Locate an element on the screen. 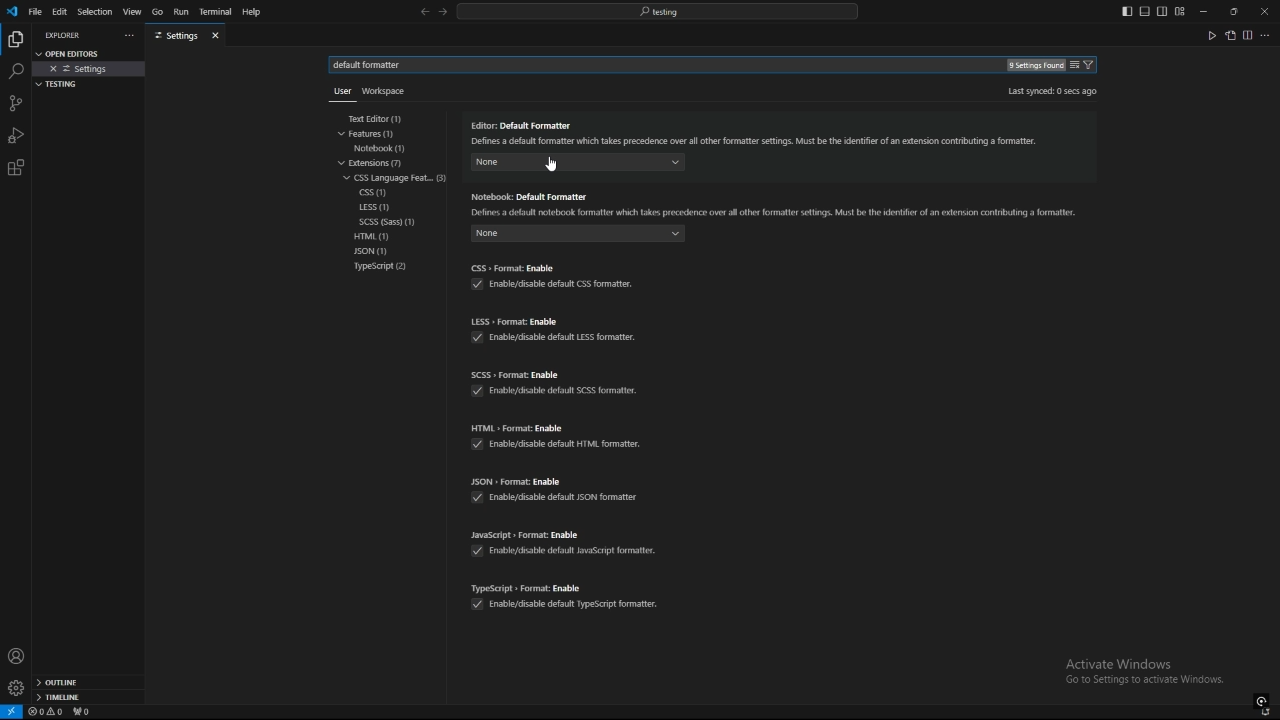  editor default formatter is located at coordinates (757, 135).